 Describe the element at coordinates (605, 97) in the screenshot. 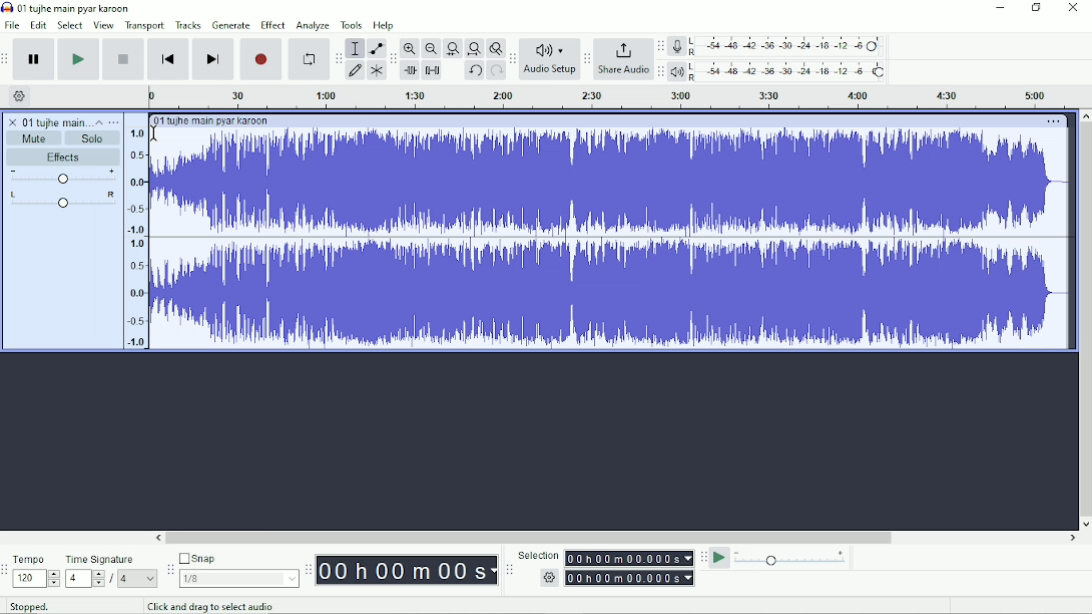

I see `Timeline` at that location.